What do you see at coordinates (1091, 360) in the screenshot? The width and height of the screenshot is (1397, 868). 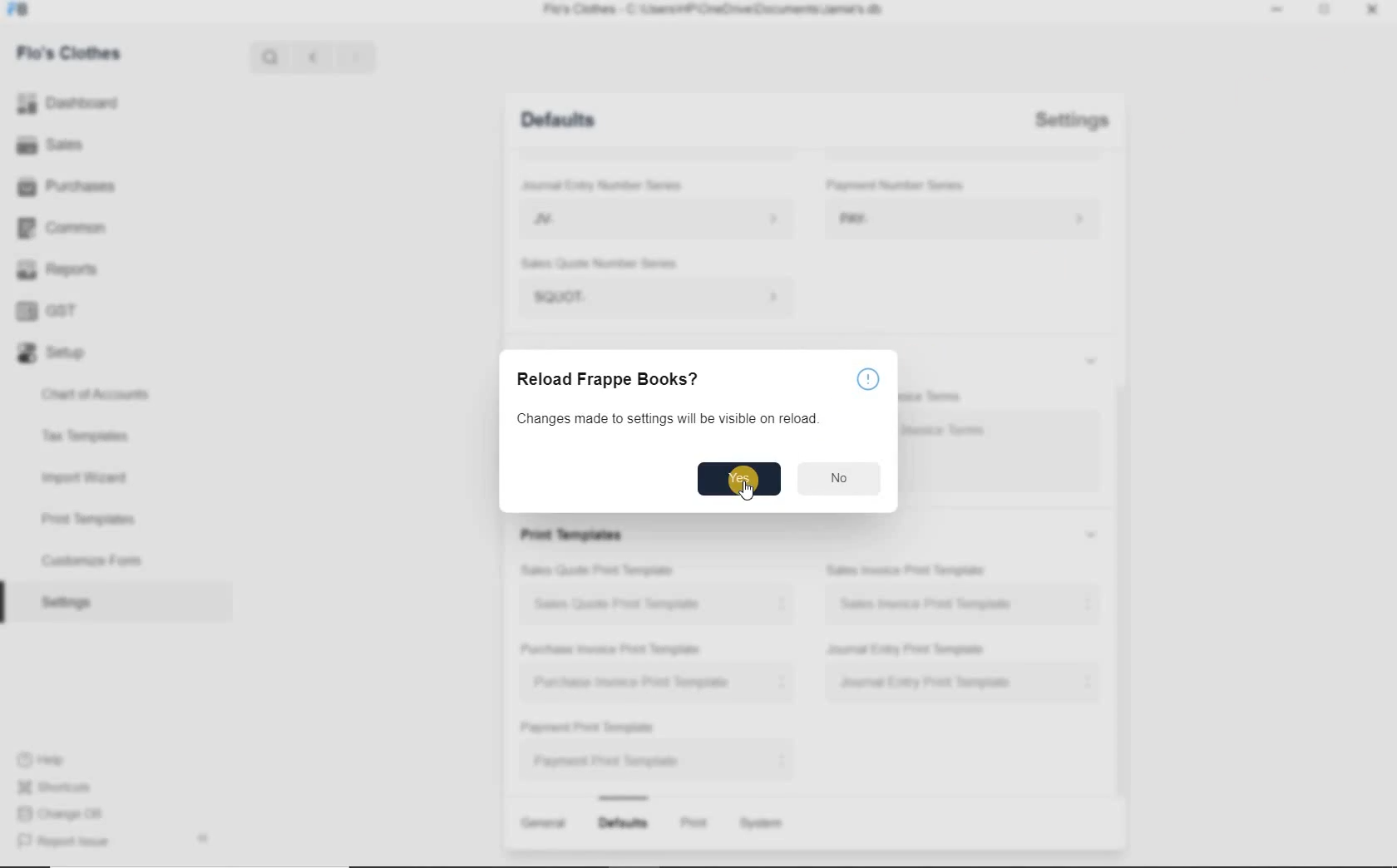 I see `Expand` at bounding box center [1091, 360].